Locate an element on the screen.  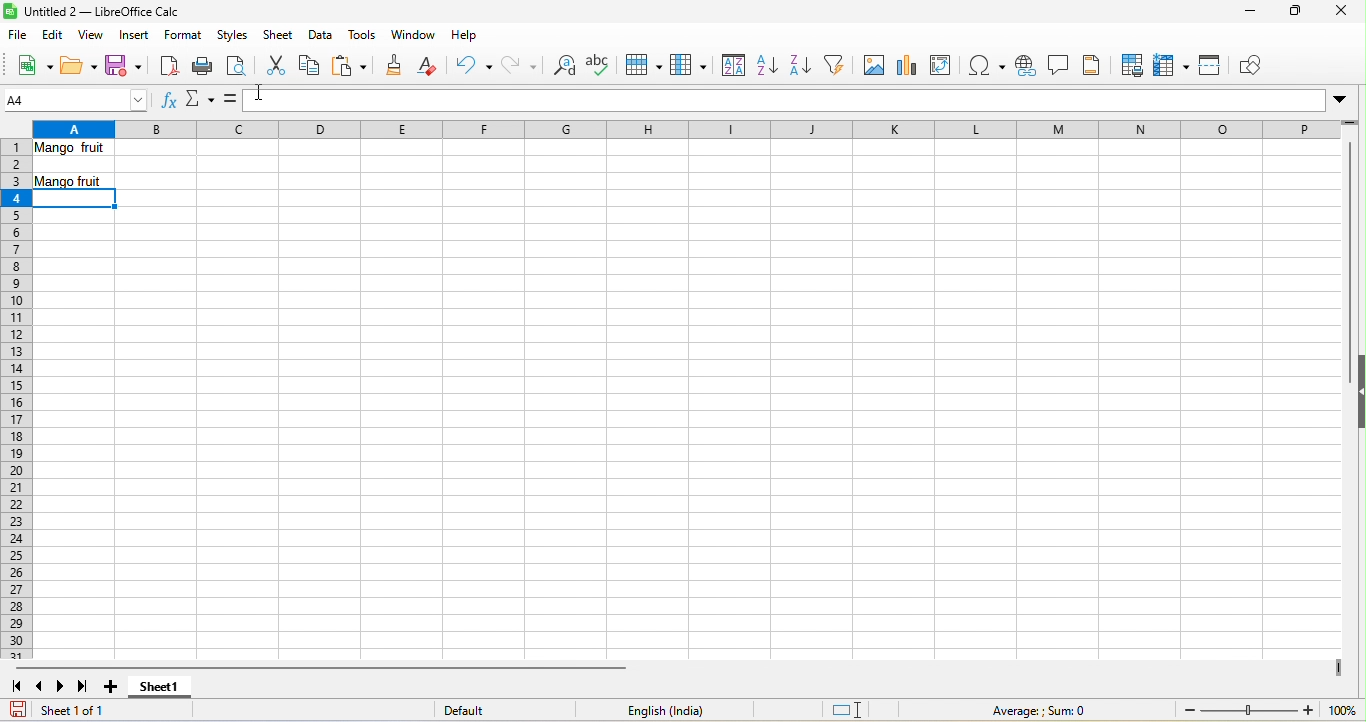
tools is located at coordinates (364, 35).